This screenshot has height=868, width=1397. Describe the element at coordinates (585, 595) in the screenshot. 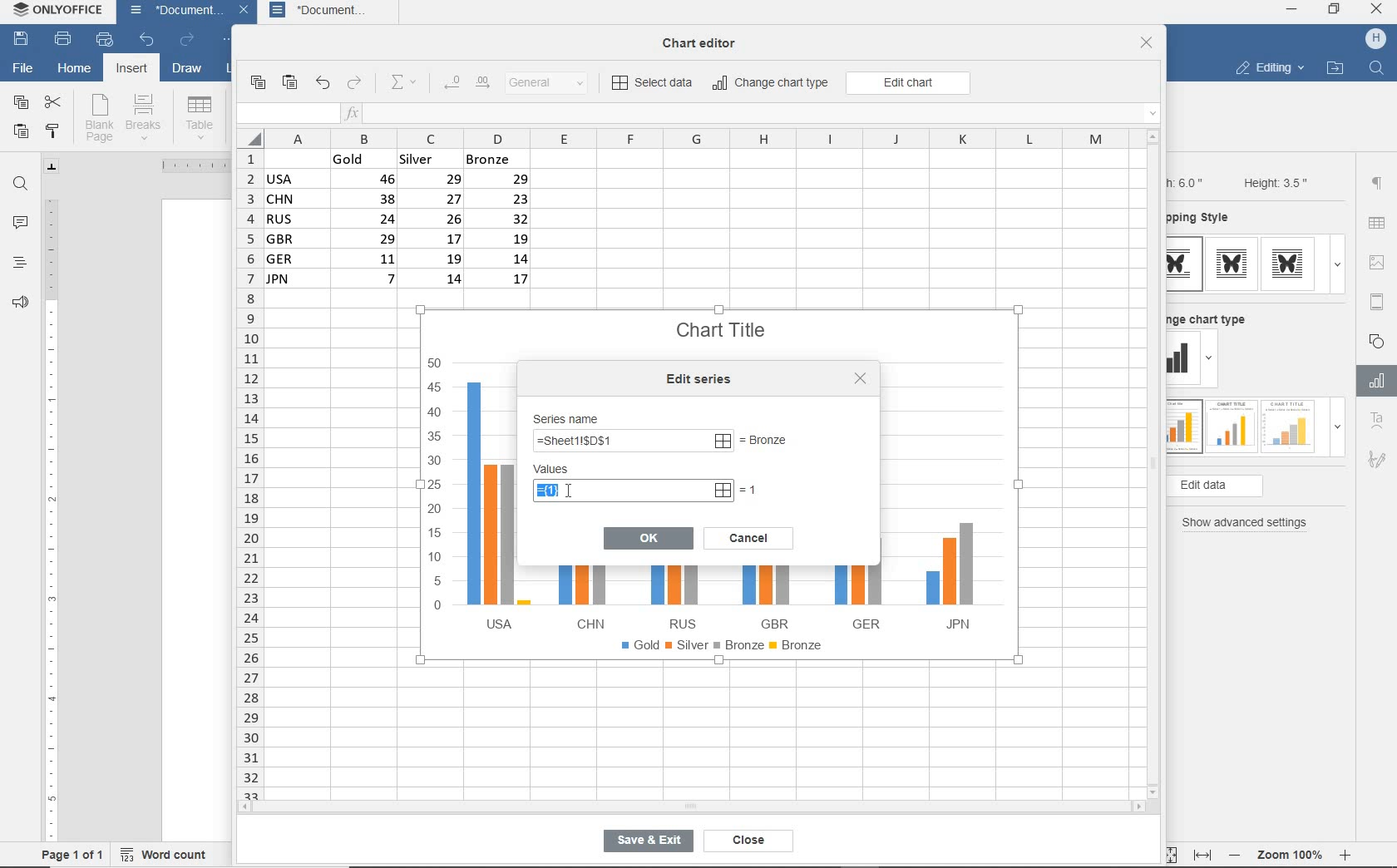

I see `CHN` at that location.